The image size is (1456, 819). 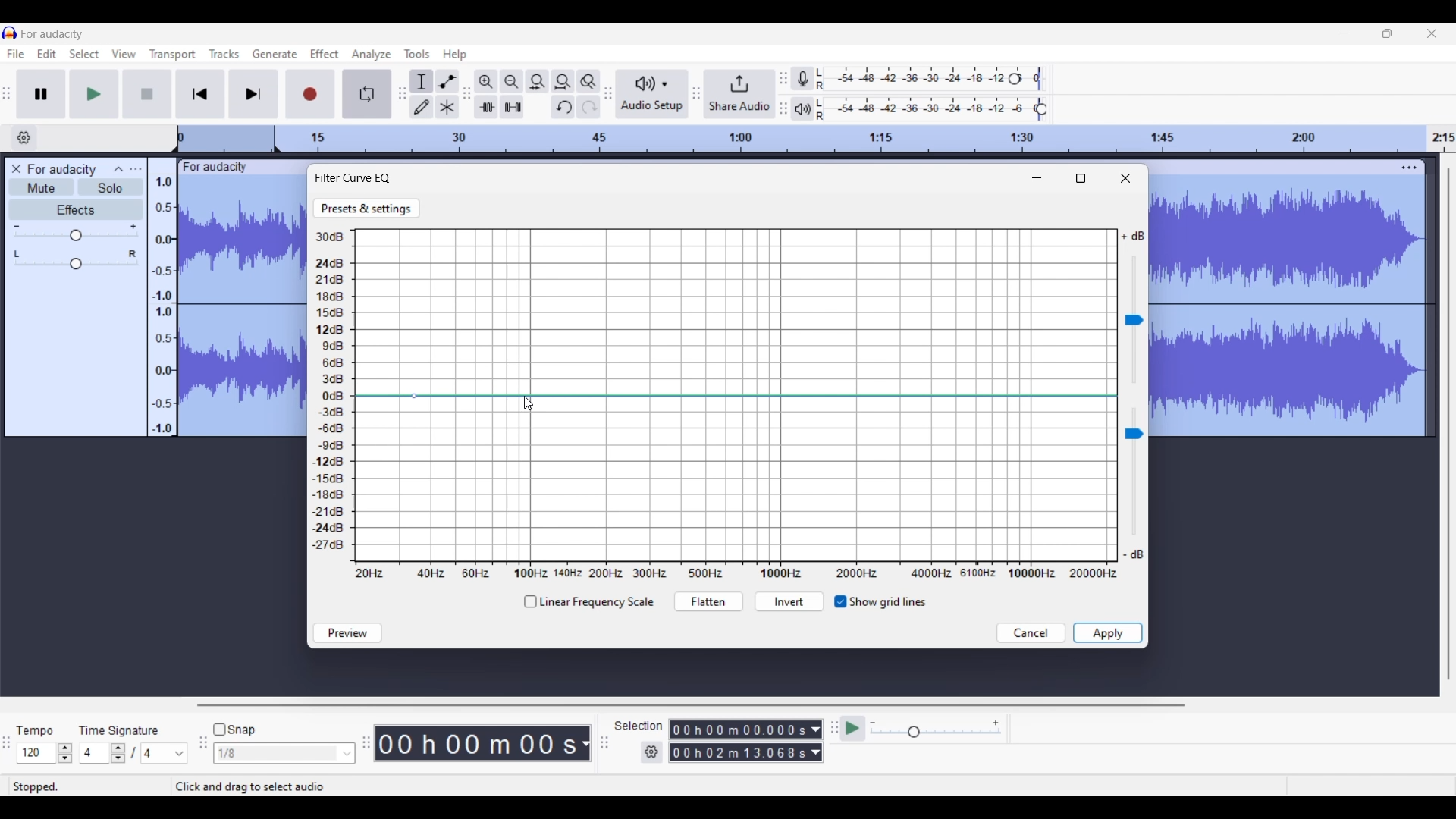 I want to click on Selection duration, so click(x=739, y=742).